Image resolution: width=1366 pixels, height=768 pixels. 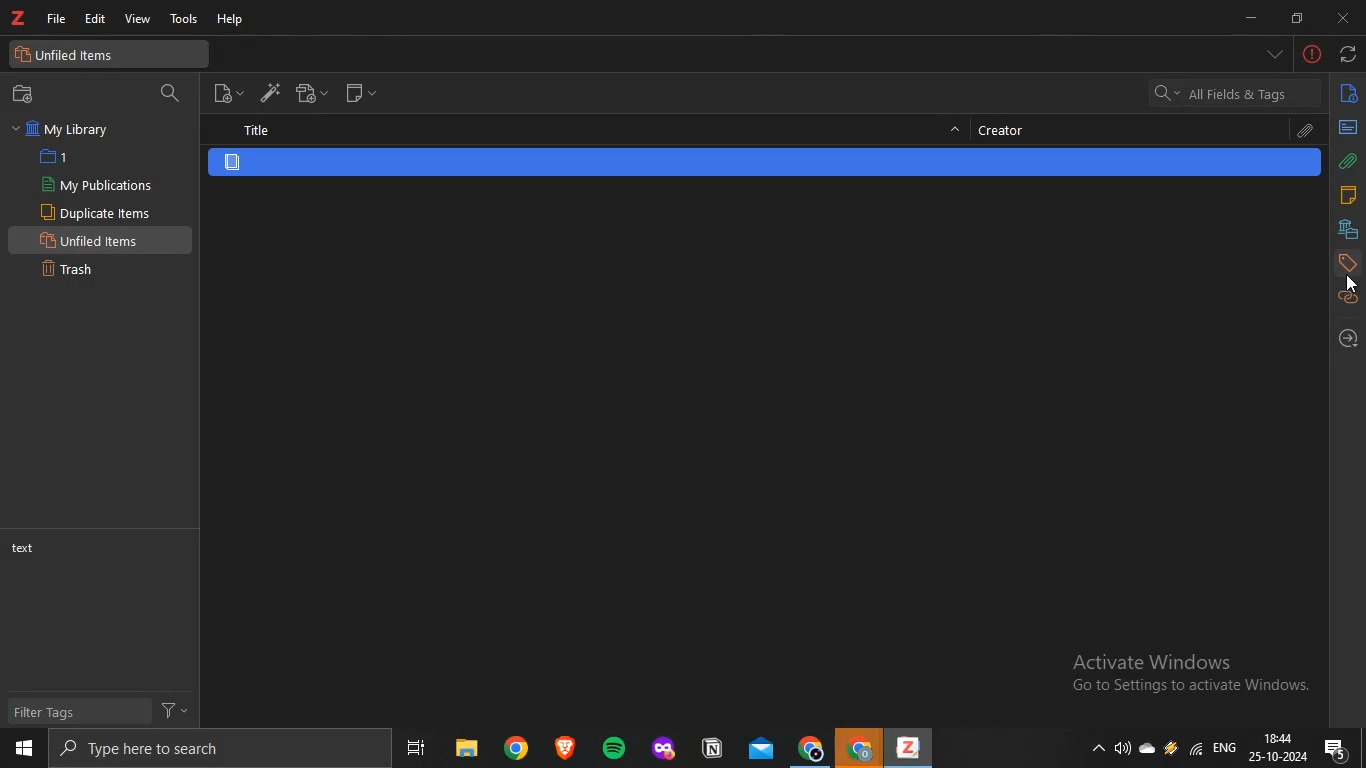 I want to click on unfiled items, so click(x=102, y=240).